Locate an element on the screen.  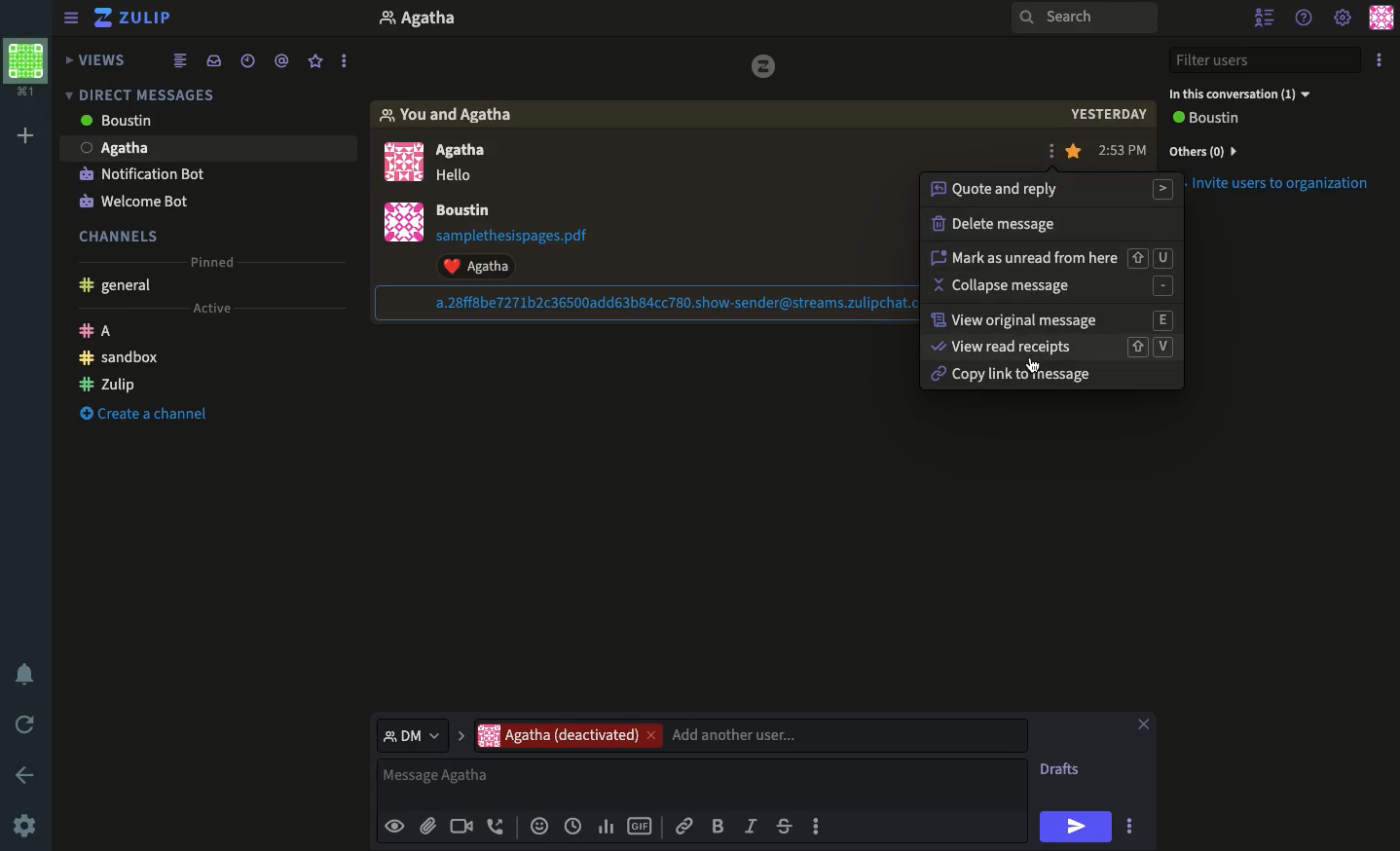
View original message is located at coordinates (1053, 321).